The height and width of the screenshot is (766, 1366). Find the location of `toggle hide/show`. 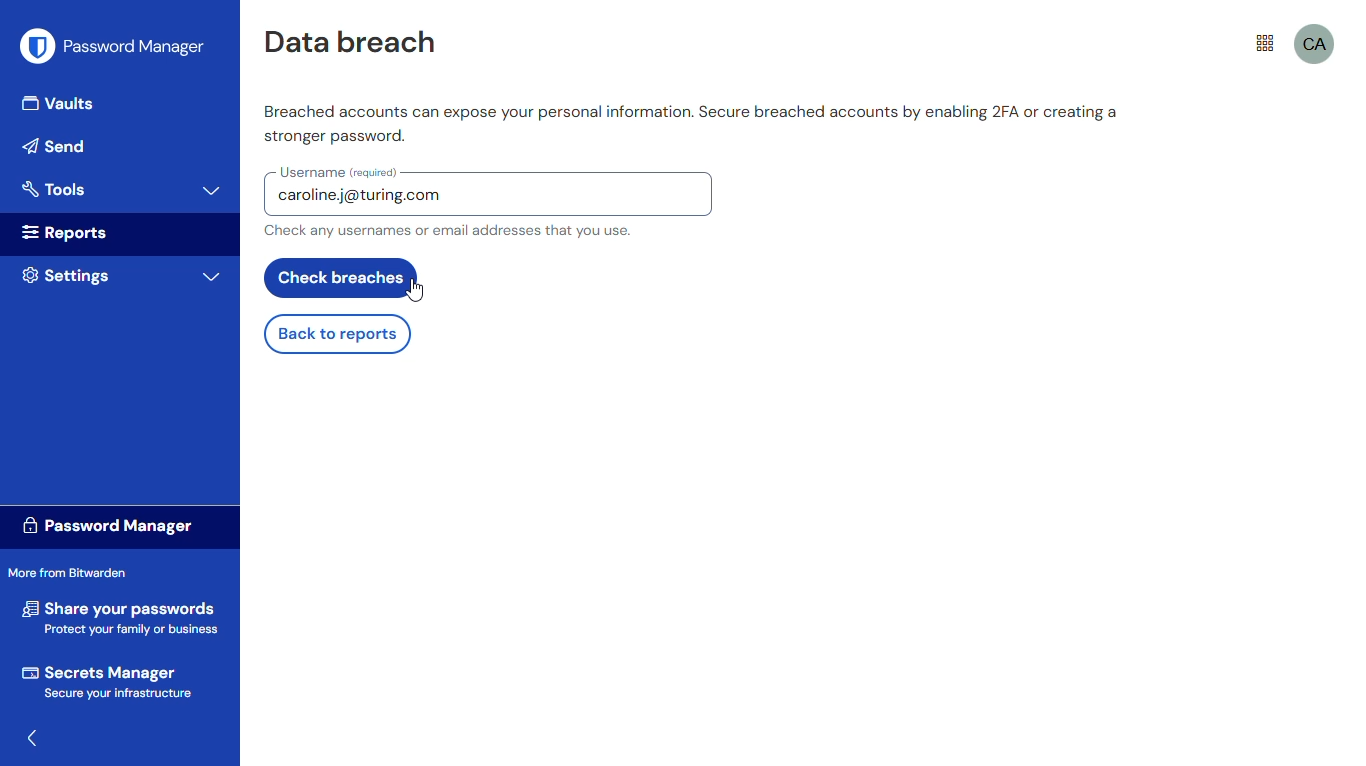

toggle hide/show is located at coordinates (38, 739).